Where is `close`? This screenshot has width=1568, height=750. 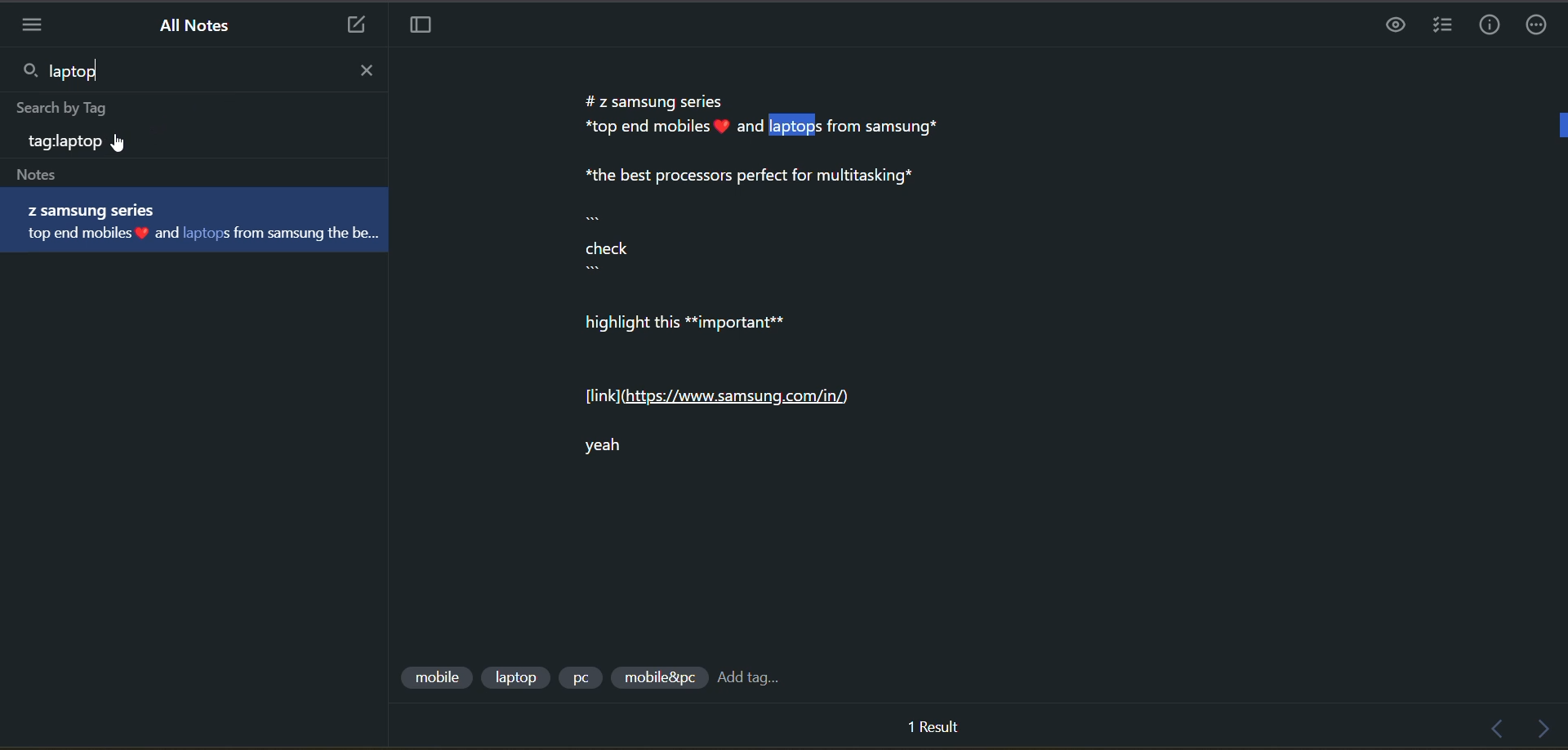
close is located at coordinates (365, 73).